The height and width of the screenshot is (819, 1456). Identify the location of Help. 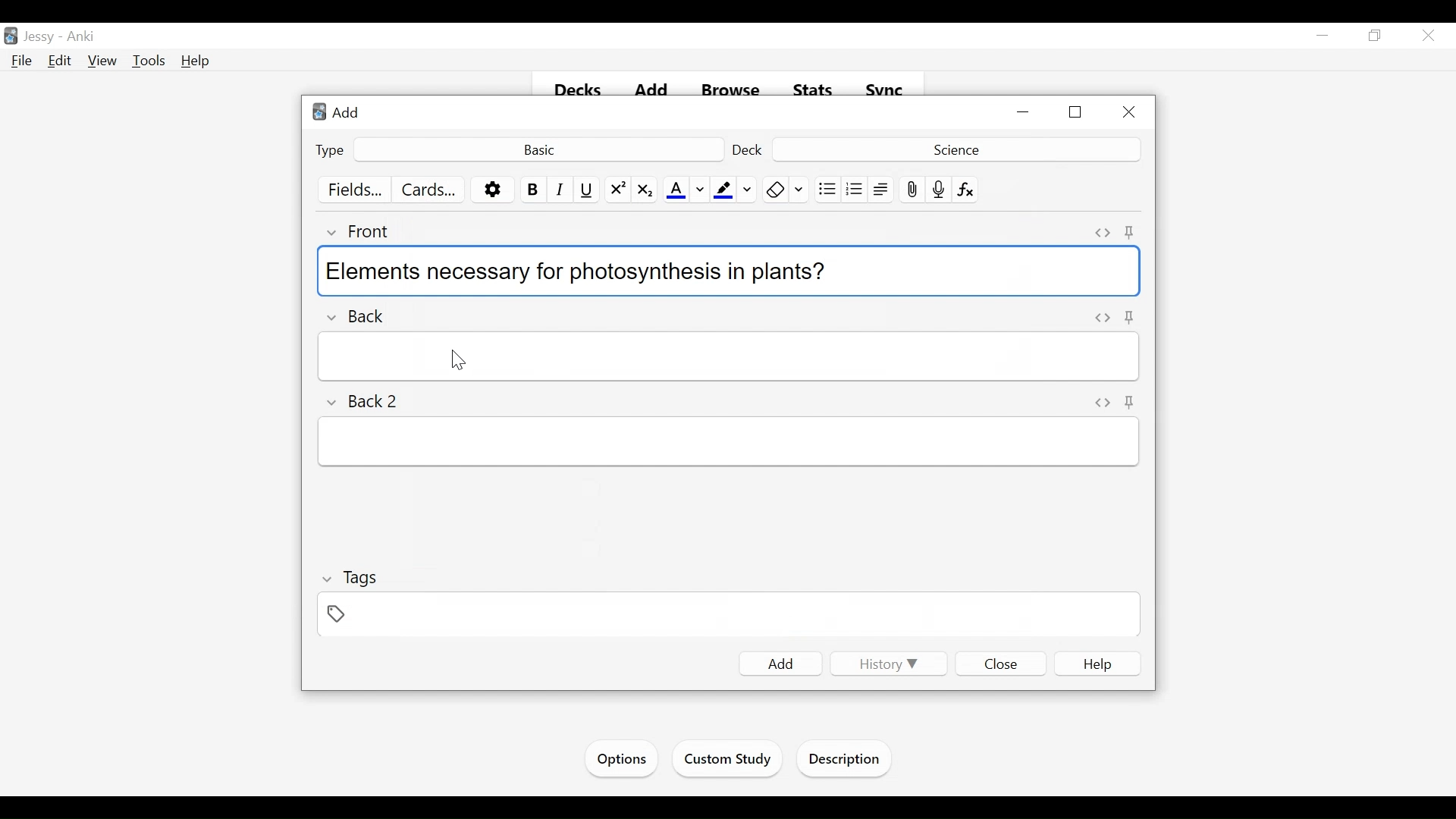
(1098, 664).